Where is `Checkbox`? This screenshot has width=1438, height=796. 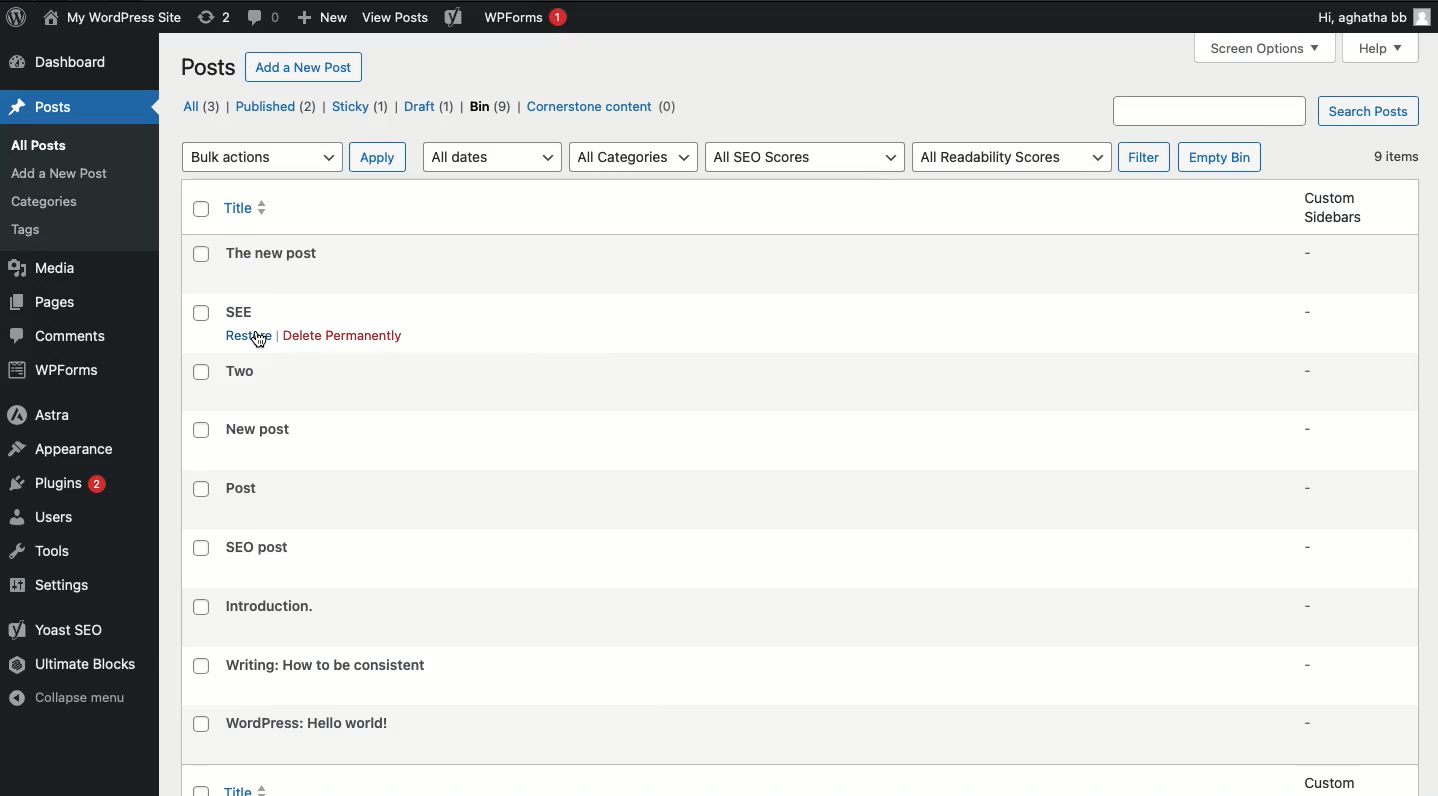
Checkbox is located at coordinates (203, 429).